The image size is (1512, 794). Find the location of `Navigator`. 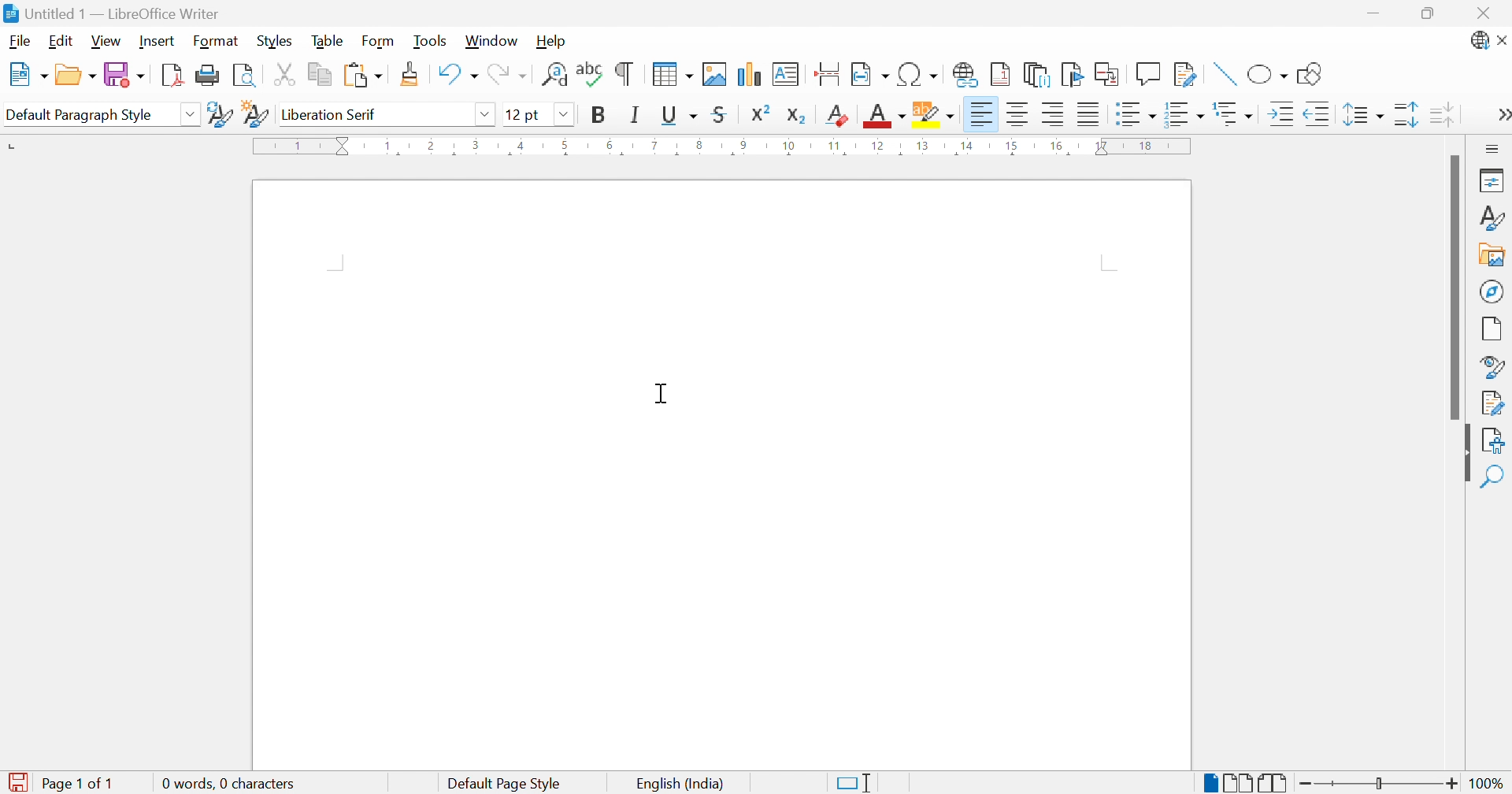

Navigator is located at coordinates (1492, 291).